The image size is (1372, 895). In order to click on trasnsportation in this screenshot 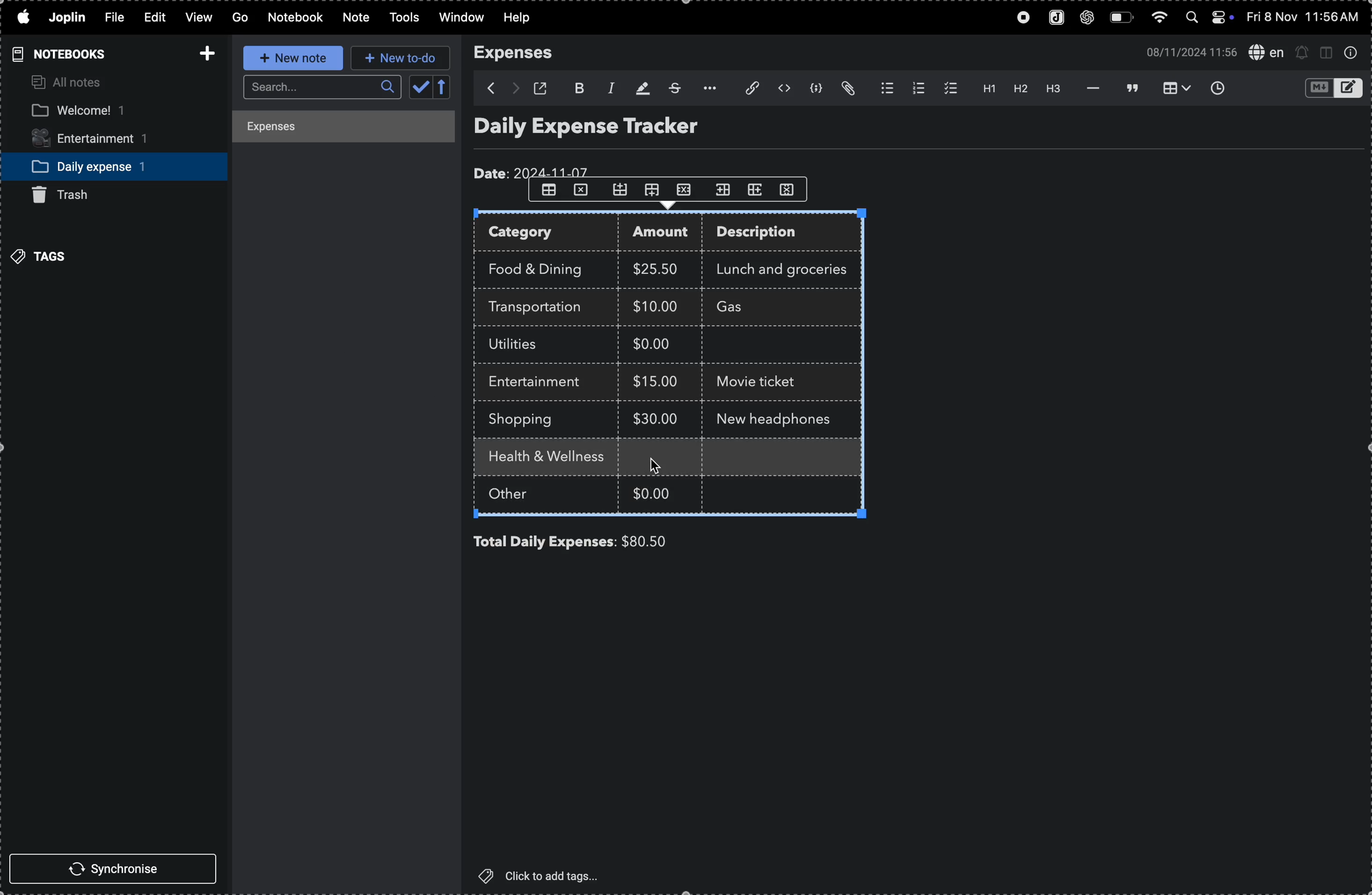, I will do `click(541, 307)`.